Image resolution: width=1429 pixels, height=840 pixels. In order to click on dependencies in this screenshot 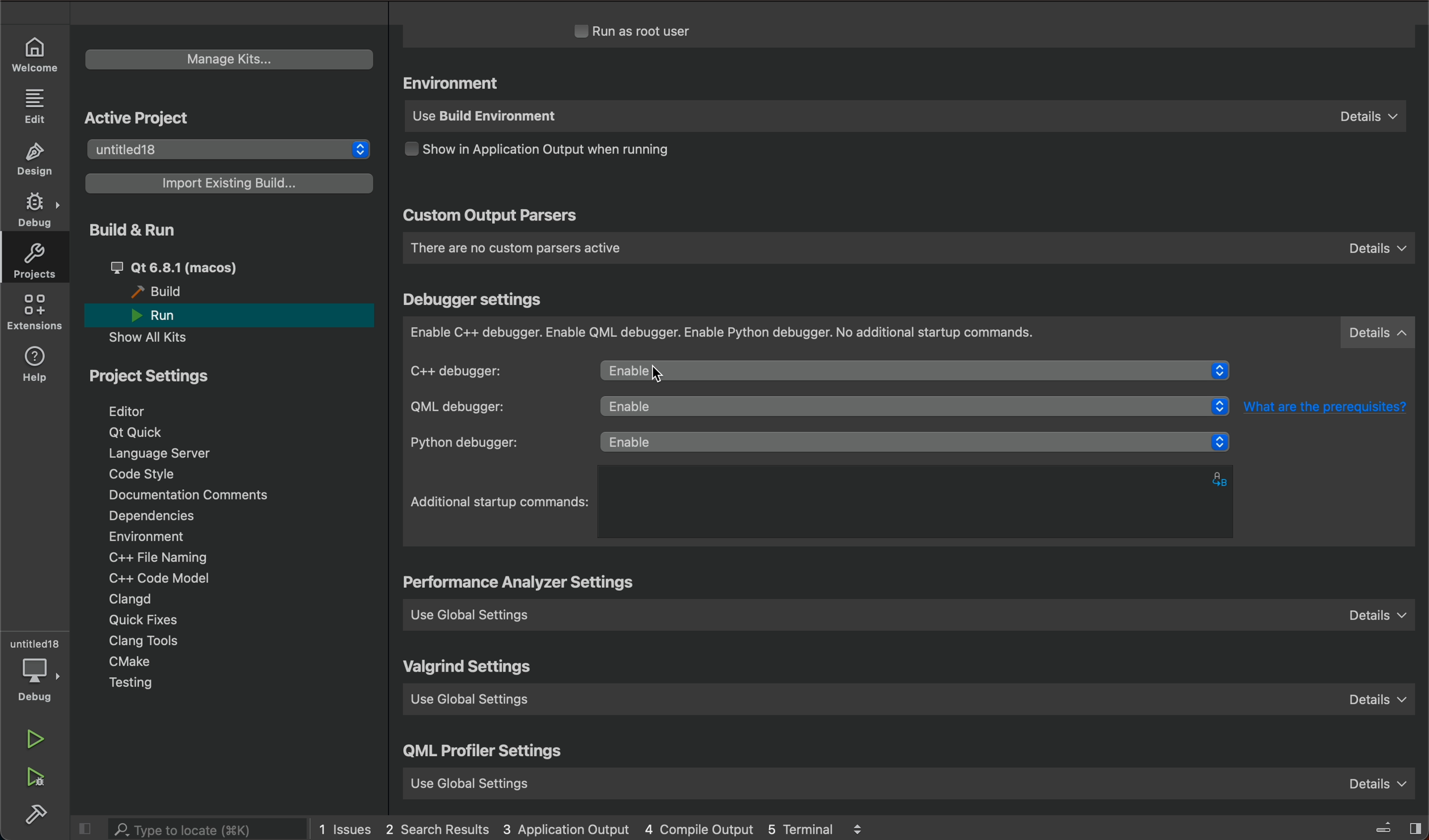, I will do `click(150, 515)`.